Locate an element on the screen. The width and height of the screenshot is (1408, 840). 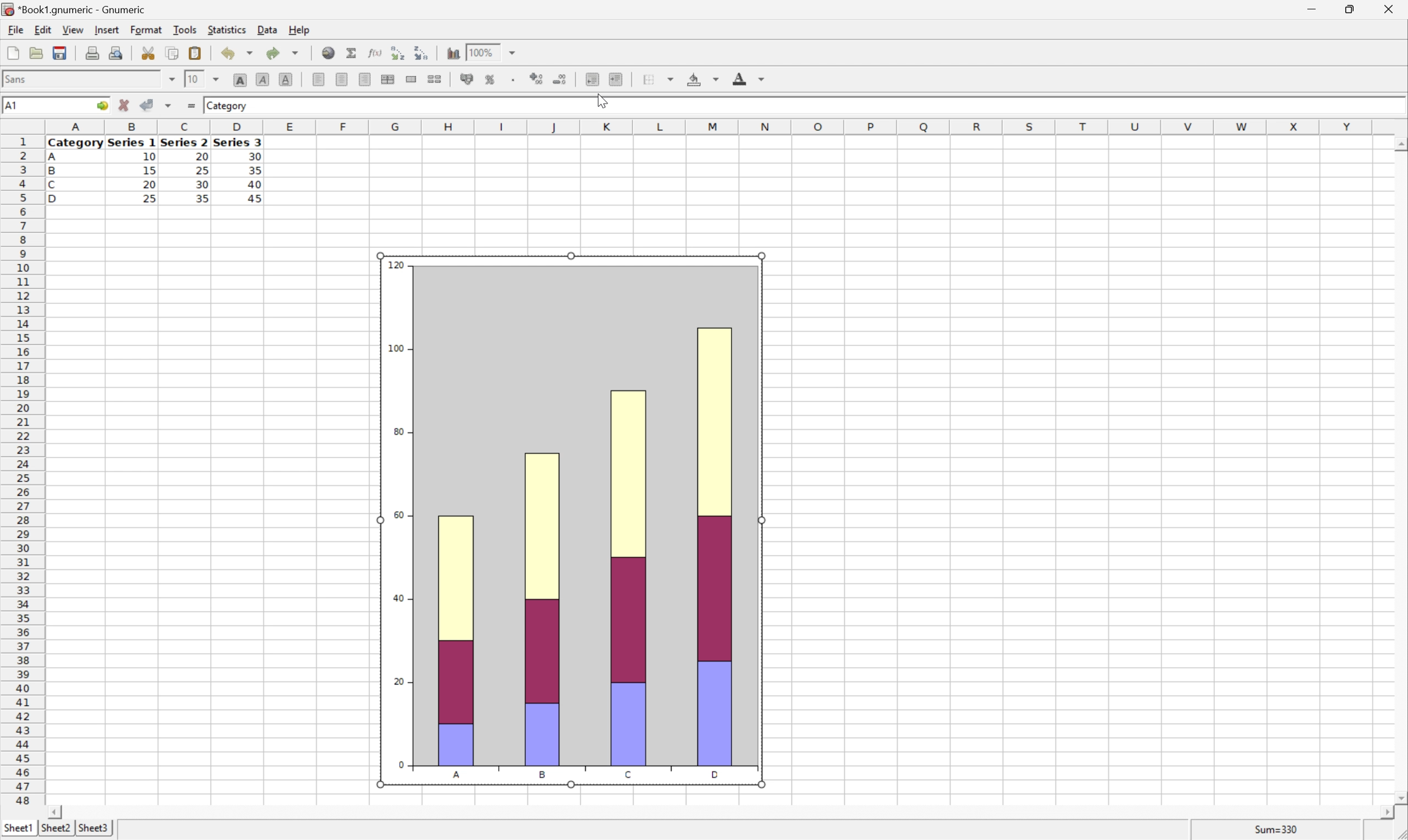
Decrease indent, and align the contents to the left is located at coordinates (592, 79).